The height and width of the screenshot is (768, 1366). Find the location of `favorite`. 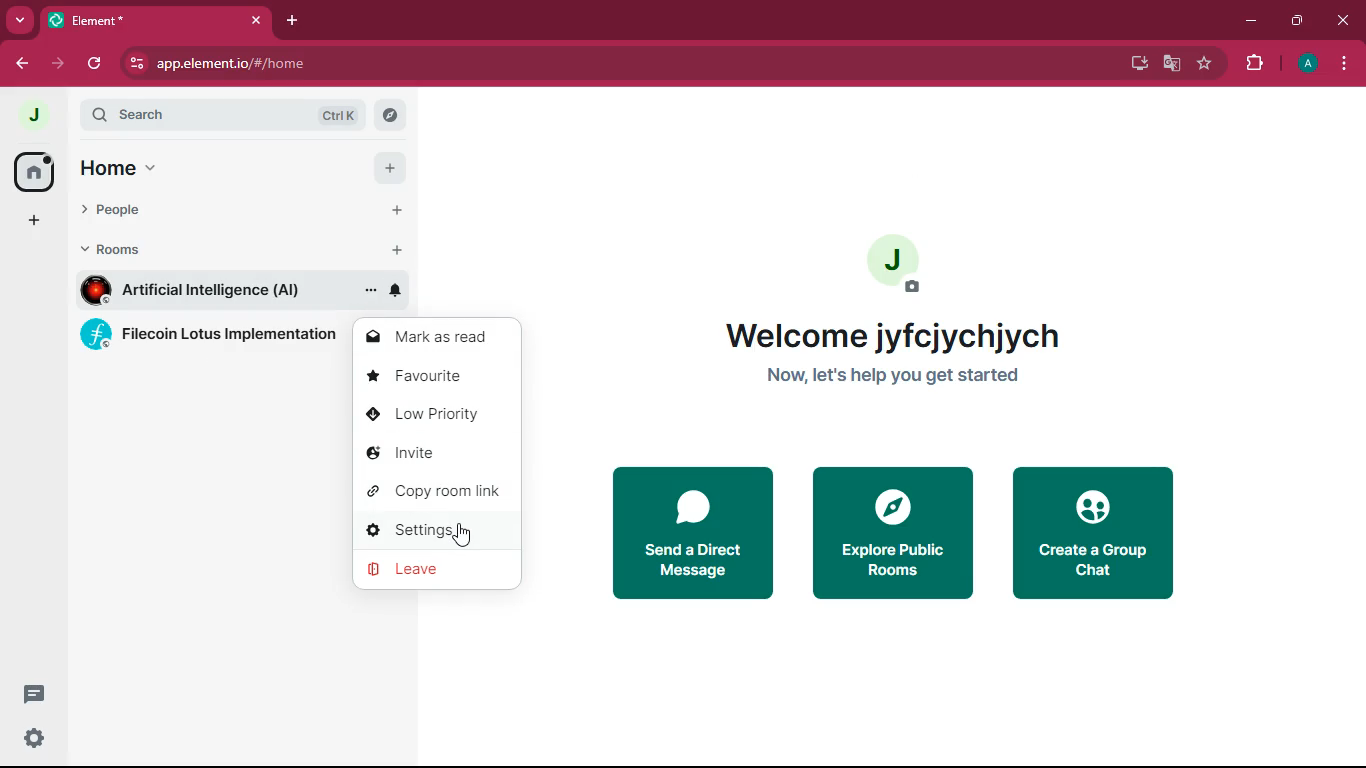

favorite is located at coordinates (1206, 66).